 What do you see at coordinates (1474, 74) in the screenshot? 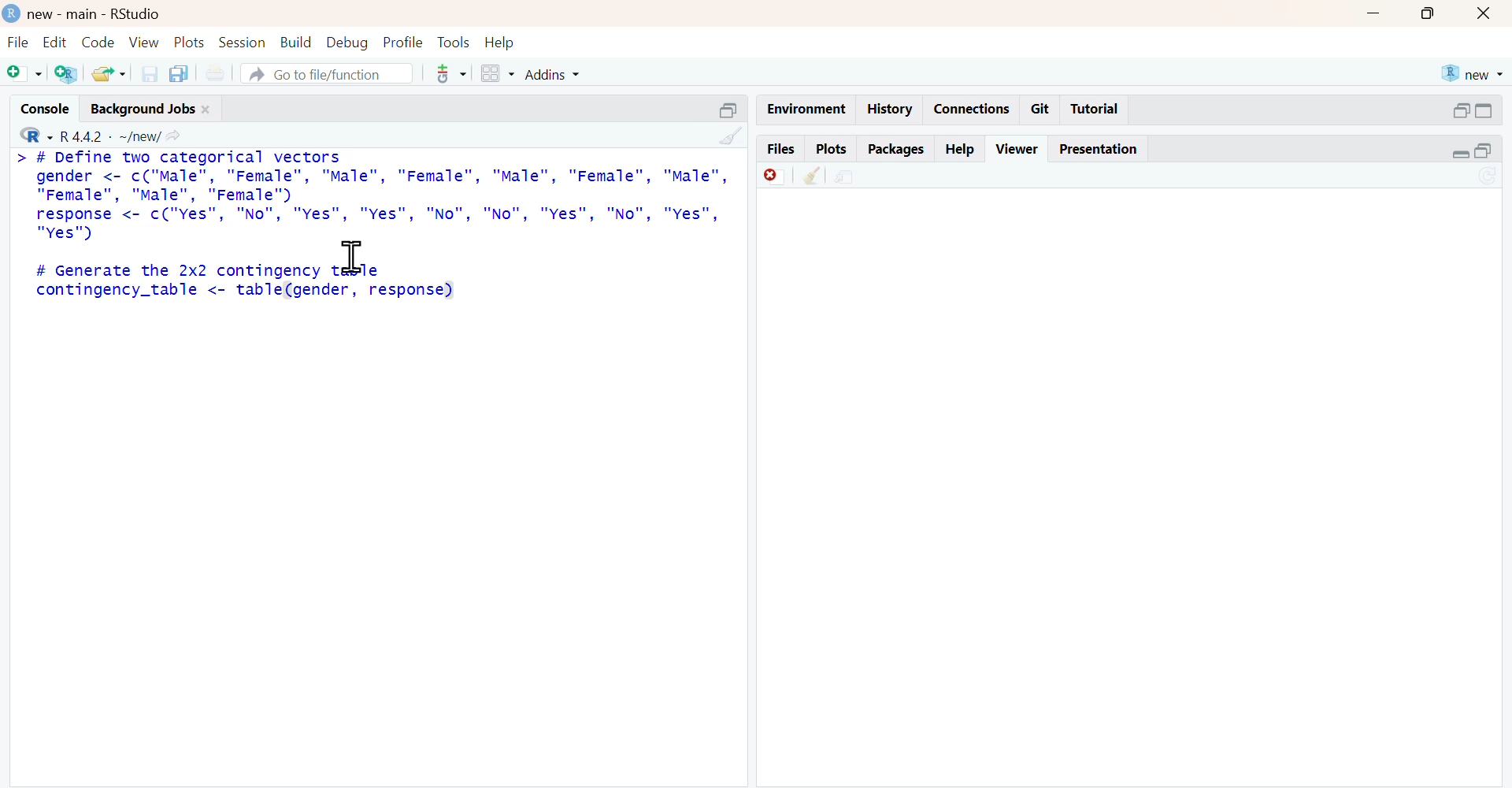
I see `new` at bounding box center [1474, 74].